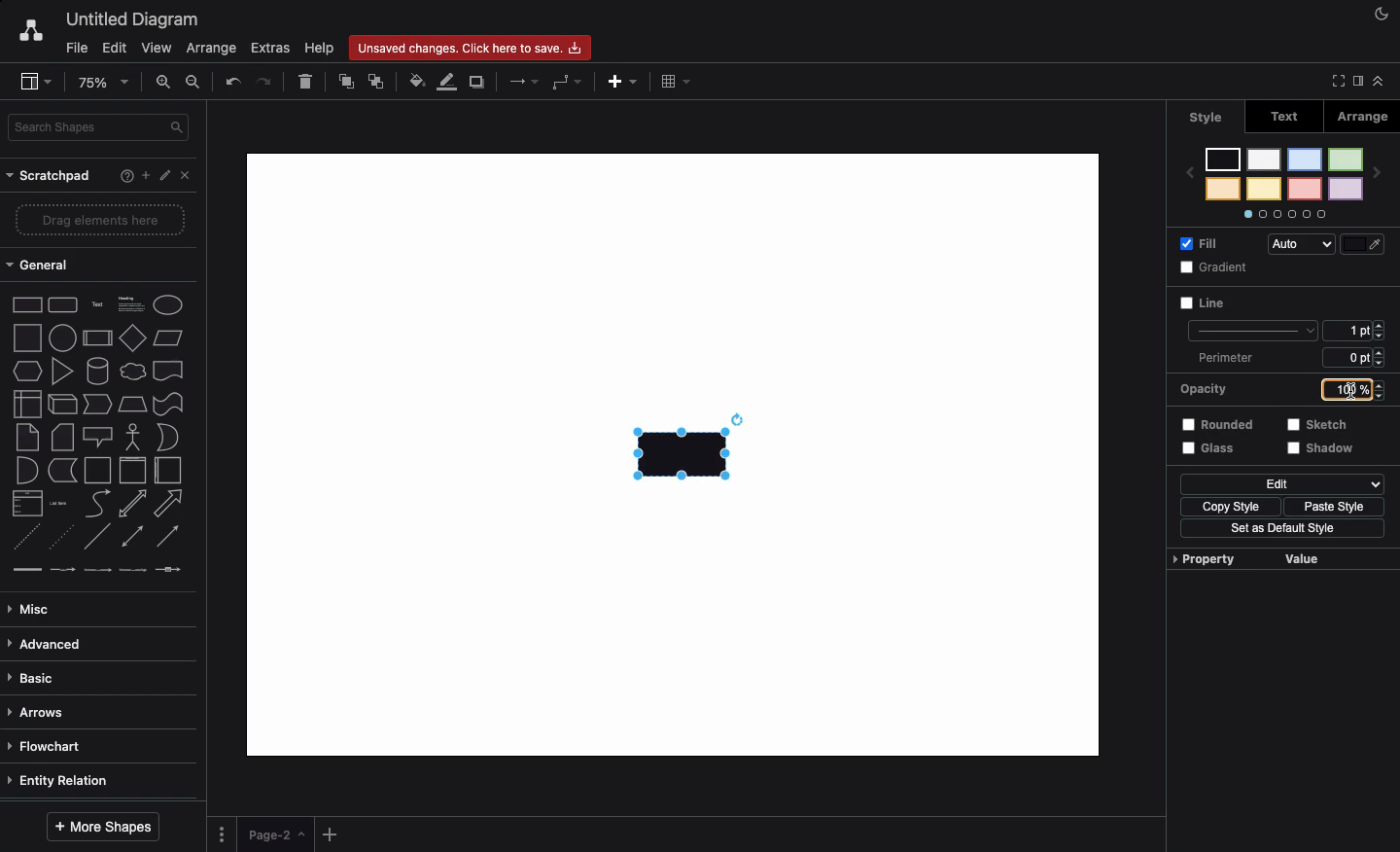  Describe the element at coordinates (97, 469) in the screenshot. I see `container` at that location.